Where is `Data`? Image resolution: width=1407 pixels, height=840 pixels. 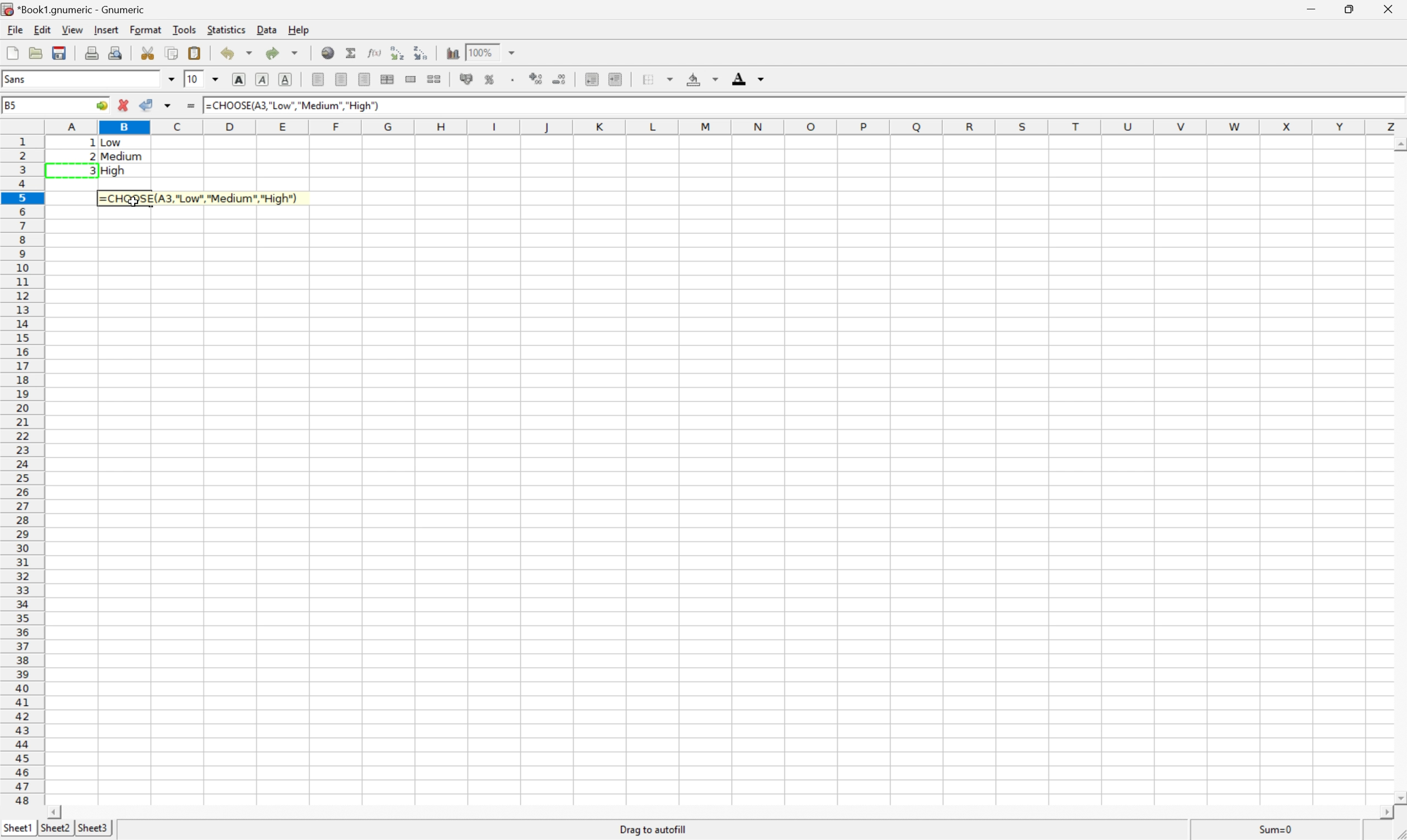
Data is located at coordinates (267, 30).